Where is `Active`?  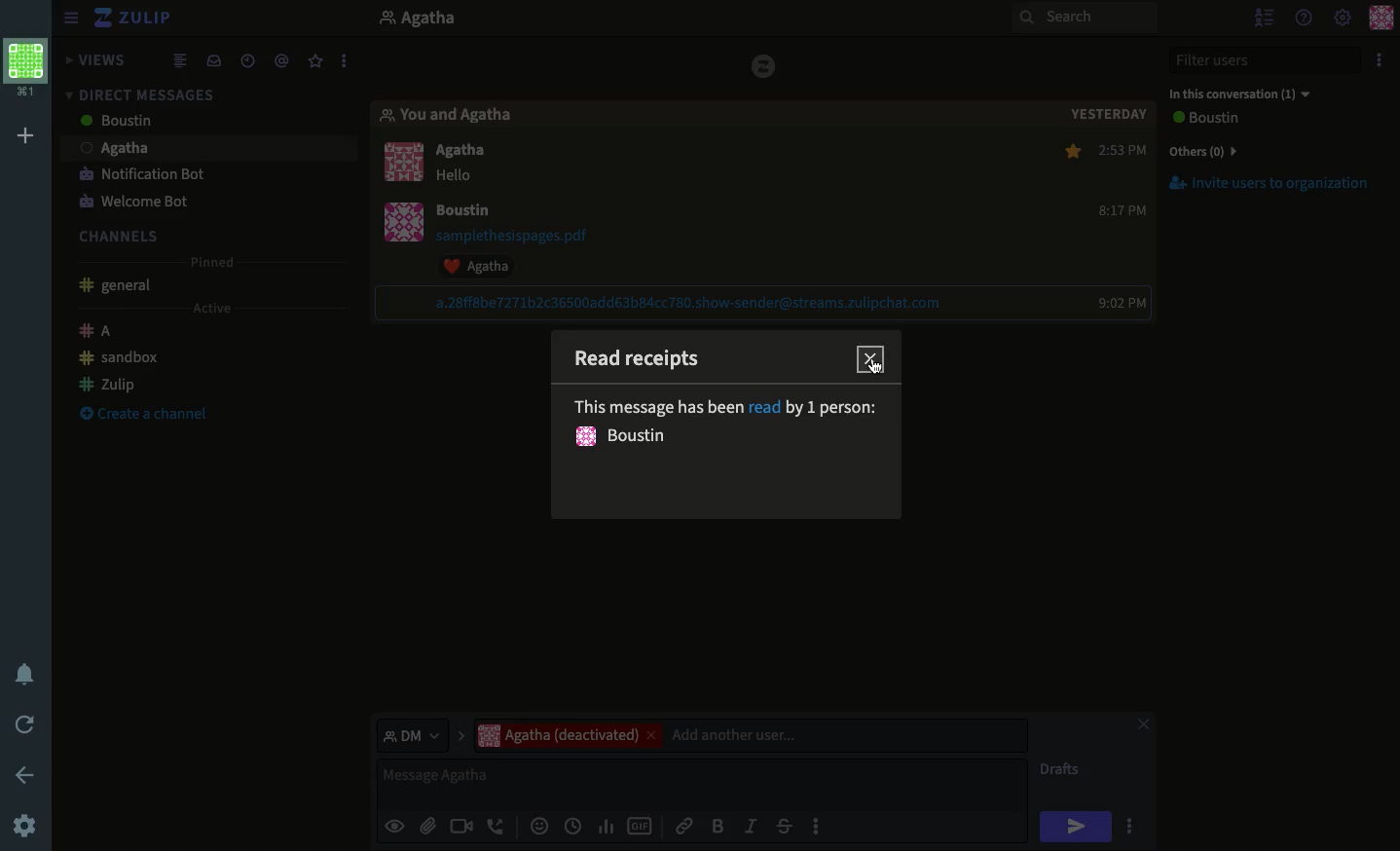
Active is located at coordinates (209, 309).